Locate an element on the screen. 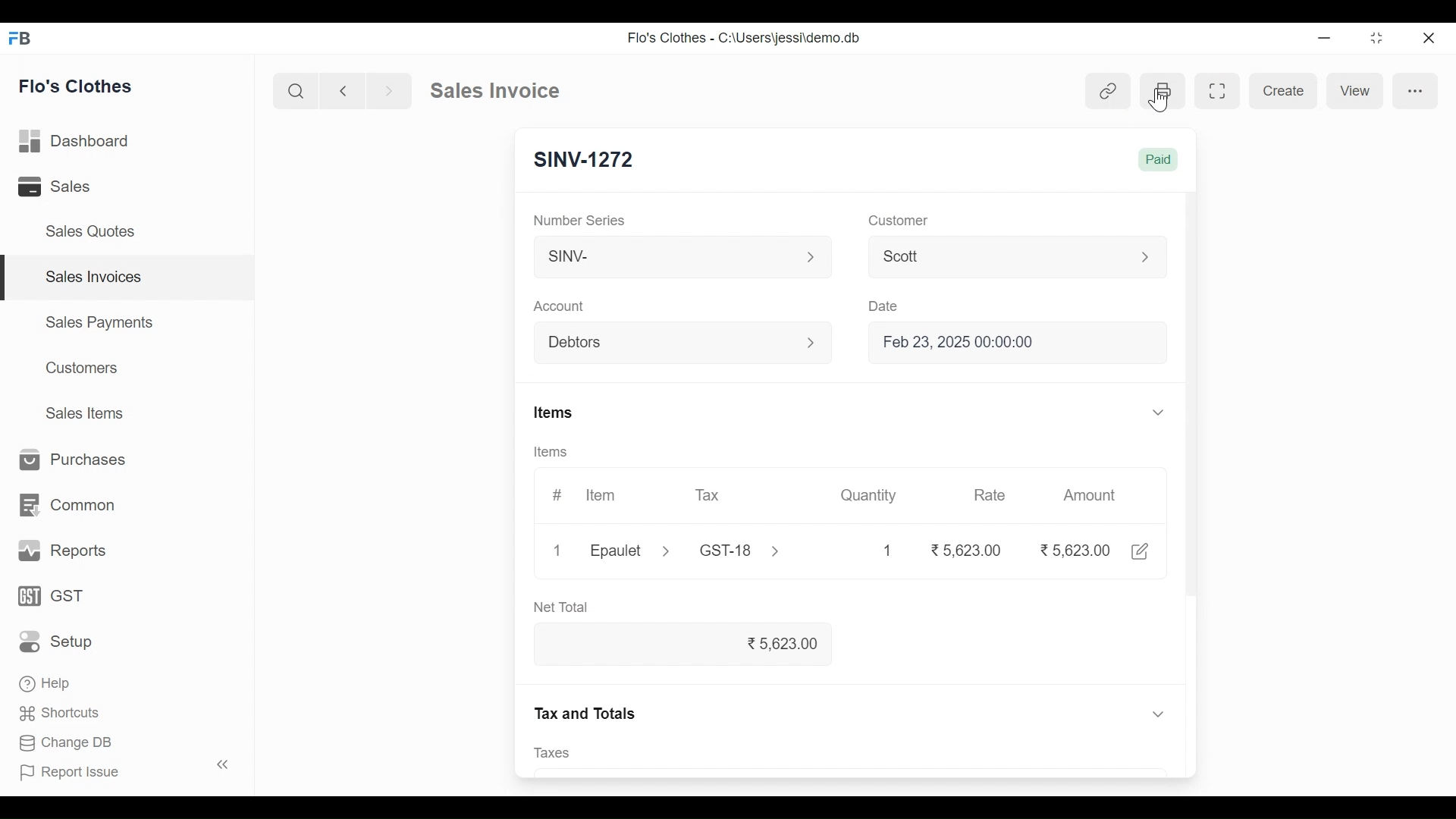  Search is located at coordinates (297, 90).